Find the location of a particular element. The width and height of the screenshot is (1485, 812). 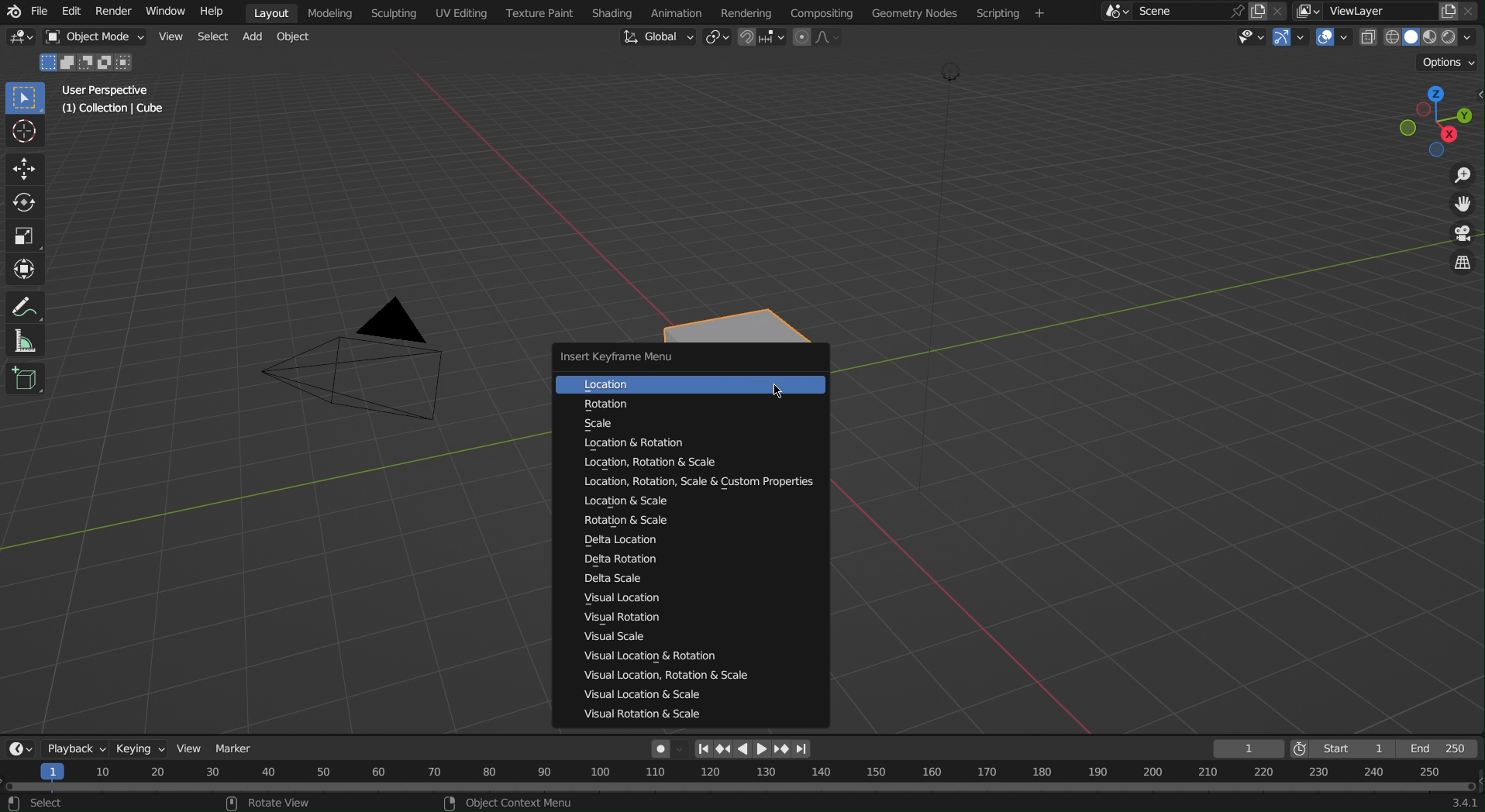

First page is located at coordinates (701, 749).